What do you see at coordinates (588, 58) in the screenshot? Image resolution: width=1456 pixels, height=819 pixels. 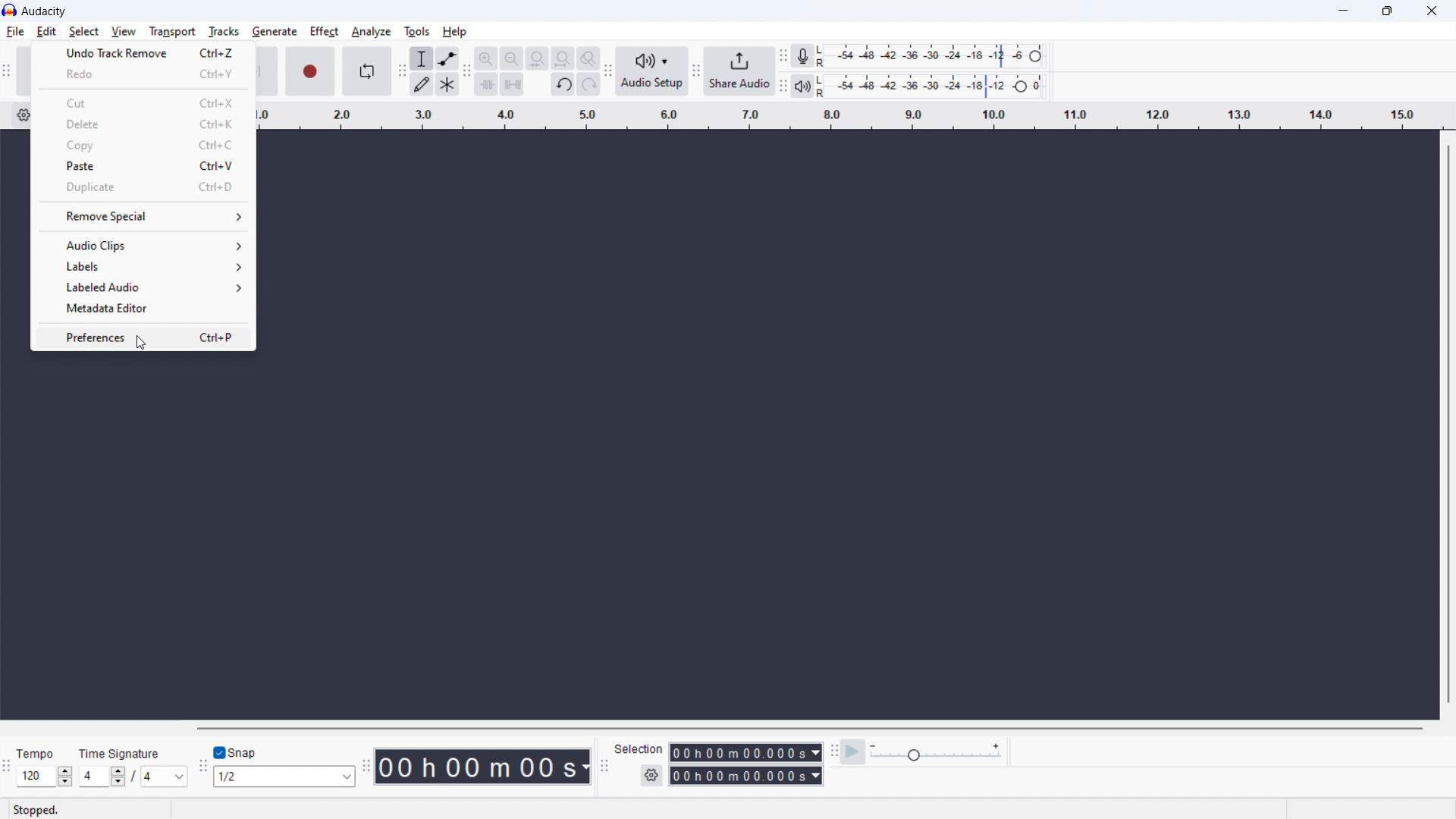 I see `toggle zoom` at bounding box center [588, 58].